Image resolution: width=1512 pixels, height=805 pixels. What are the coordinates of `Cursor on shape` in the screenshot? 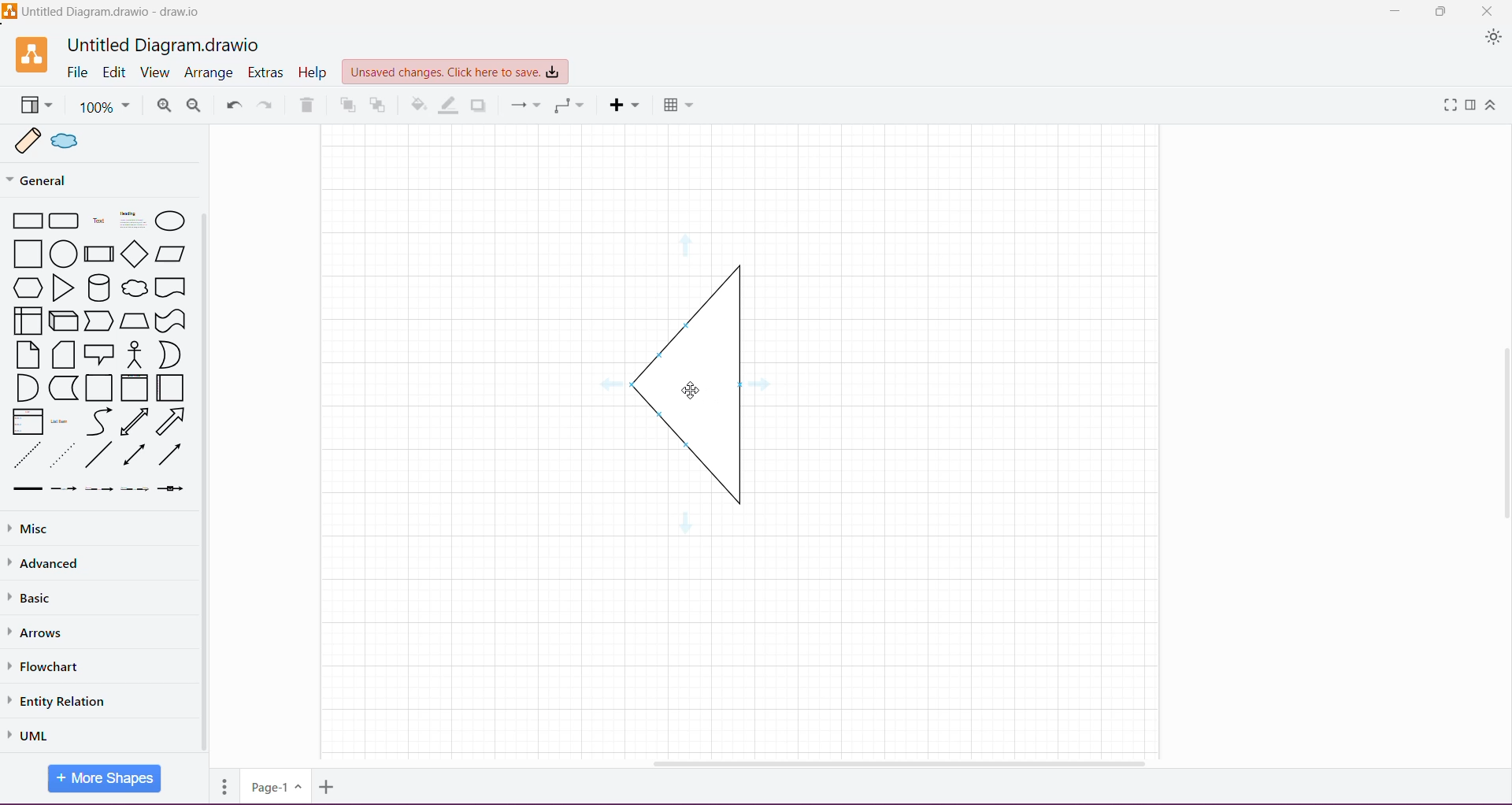 It's located at (691, 388).